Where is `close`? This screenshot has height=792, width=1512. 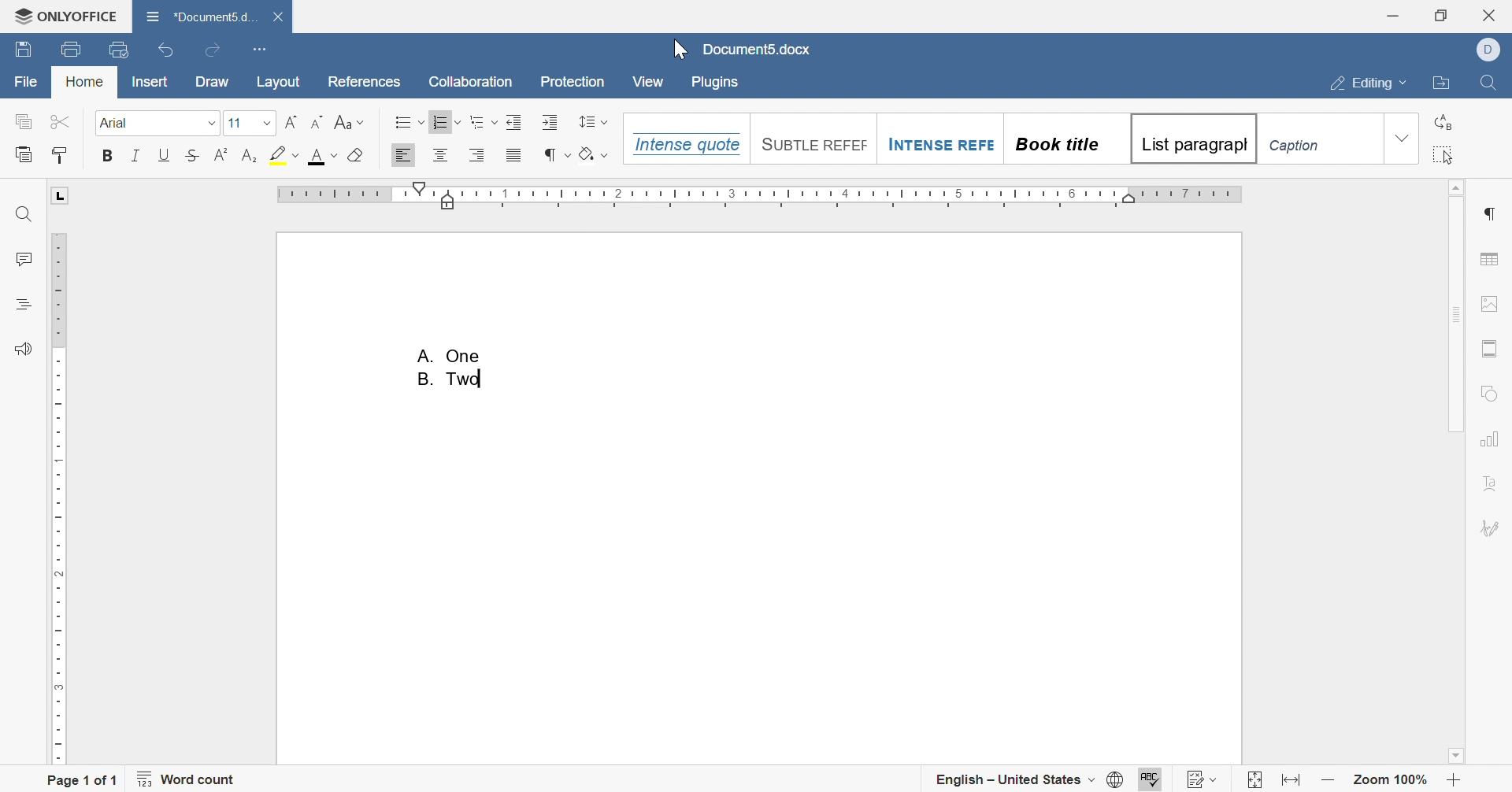
close is located at coordinates (1488, 15).